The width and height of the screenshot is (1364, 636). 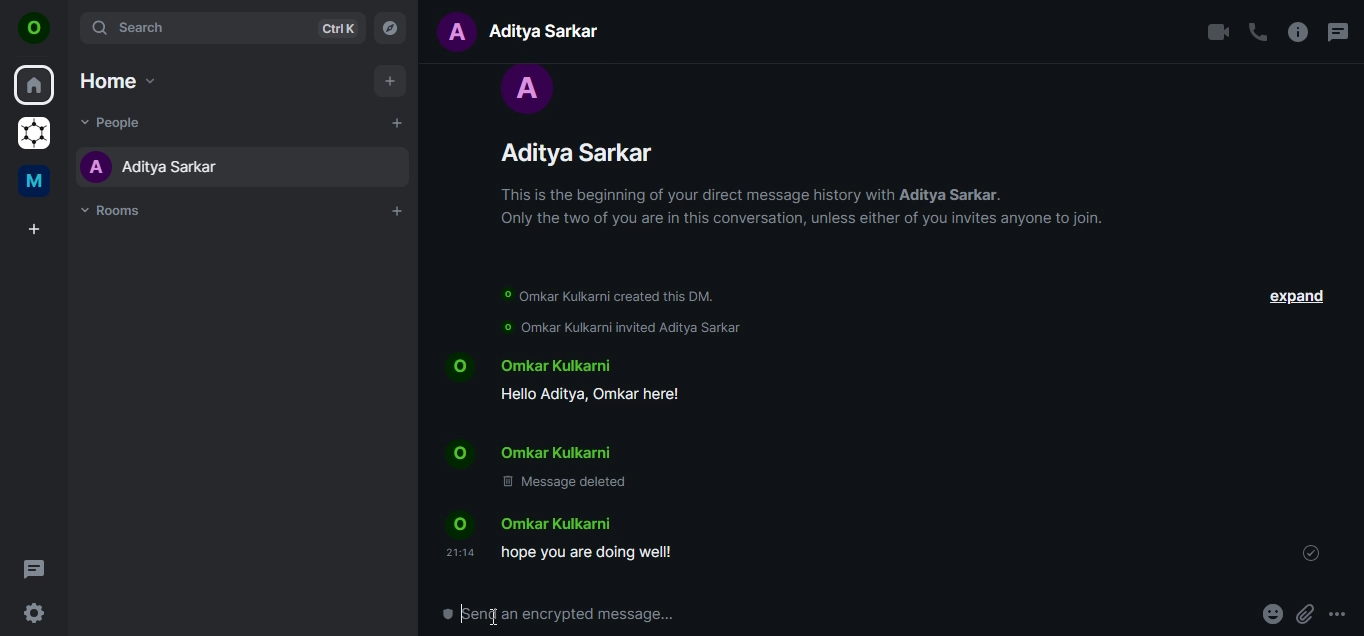 What do you see at coordinates (34, 28) in the screenshot?
I see `icon` at bounding box center [34, 28].